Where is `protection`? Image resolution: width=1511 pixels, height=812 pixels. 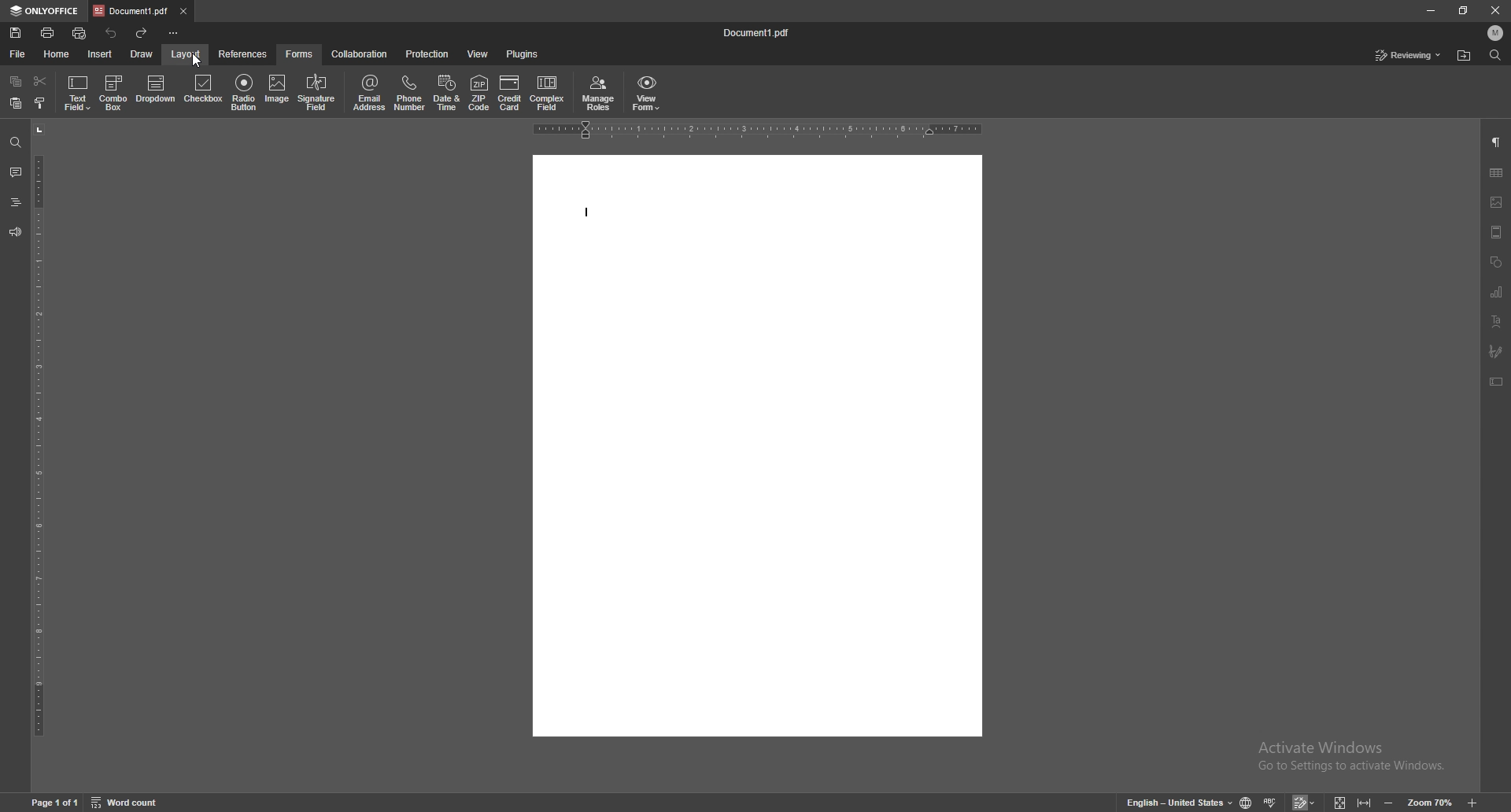
protection is located at coordinates (427, 54).